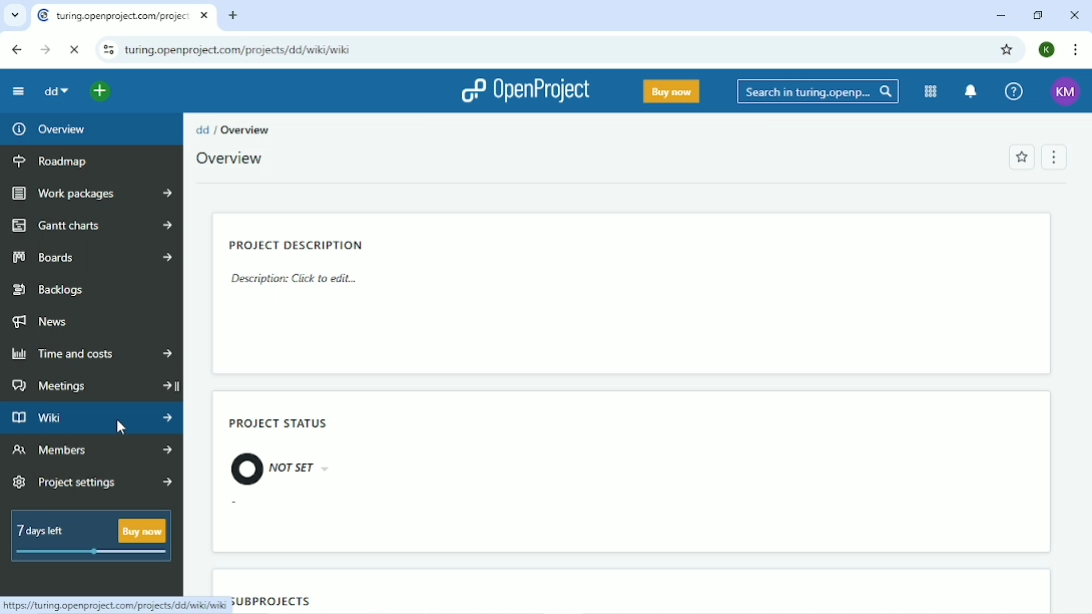 This screenshot has width=1092, height=614. Describe the element at coordinates (94, 386) in the screenshot. I see `Meetings` at that location.